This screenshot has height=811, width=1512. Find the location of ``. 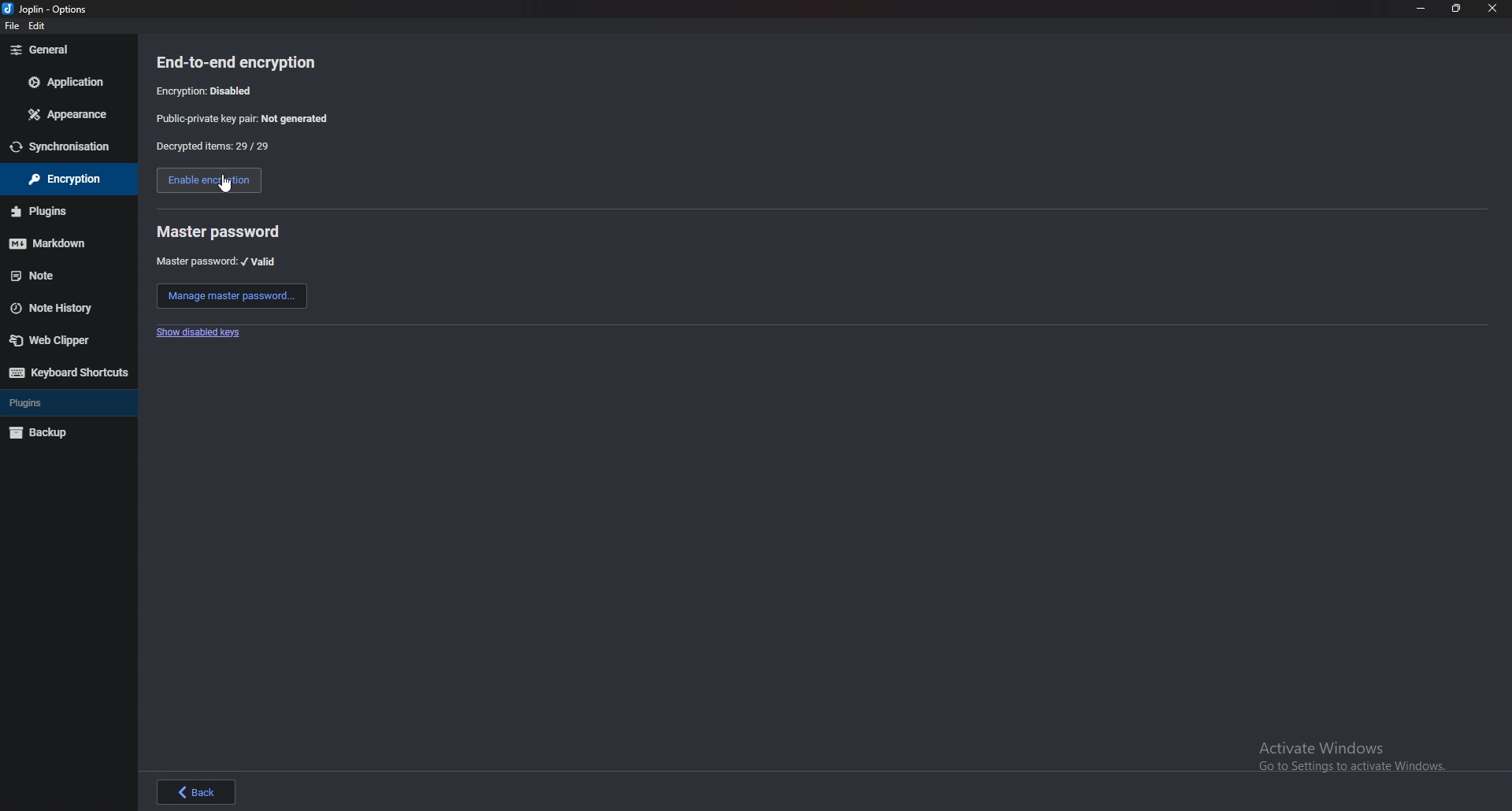

 is located at coordinates (28, 402).